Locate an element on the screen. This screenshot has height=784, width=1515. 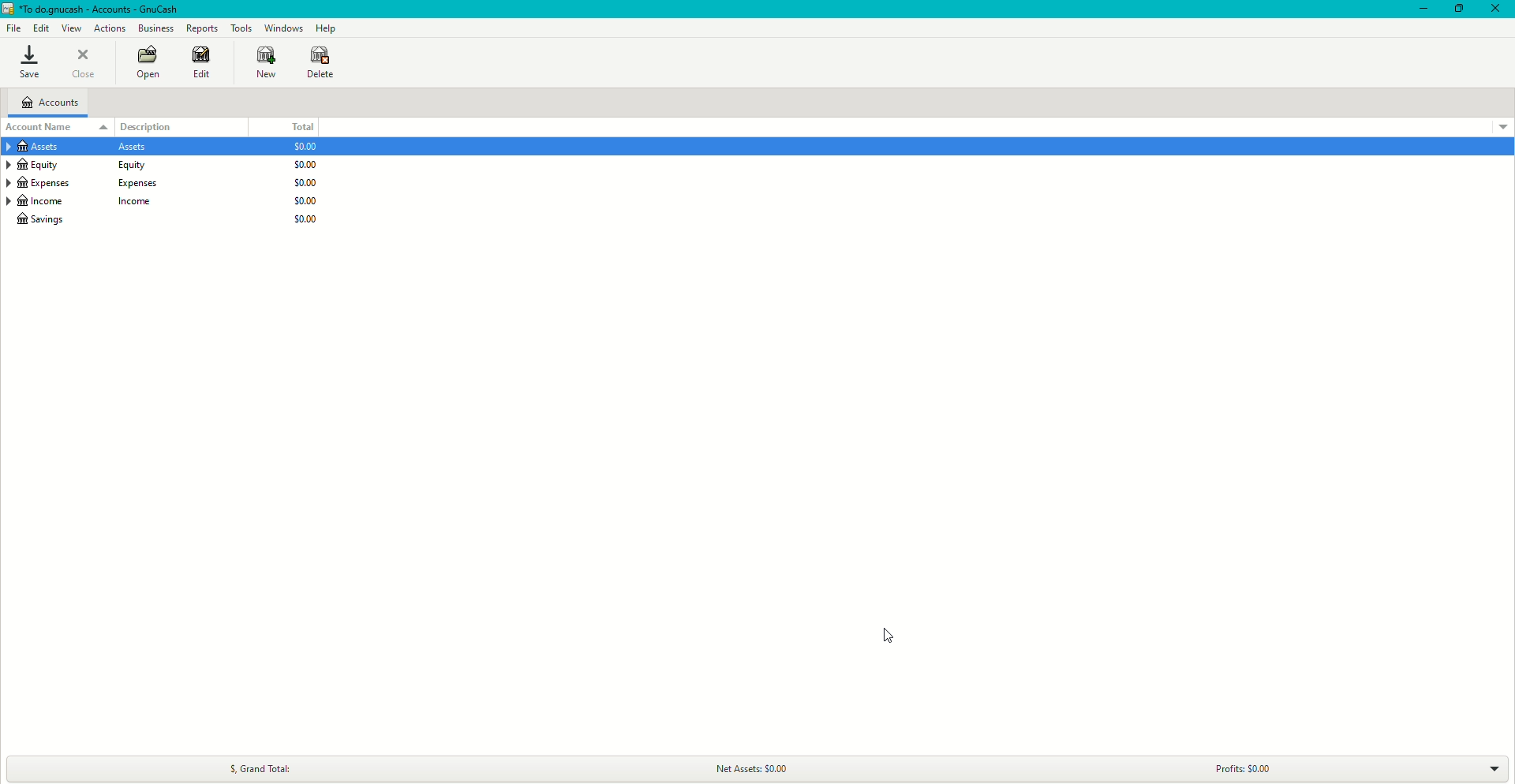
Grand Total is located at coordinates (258, 766).